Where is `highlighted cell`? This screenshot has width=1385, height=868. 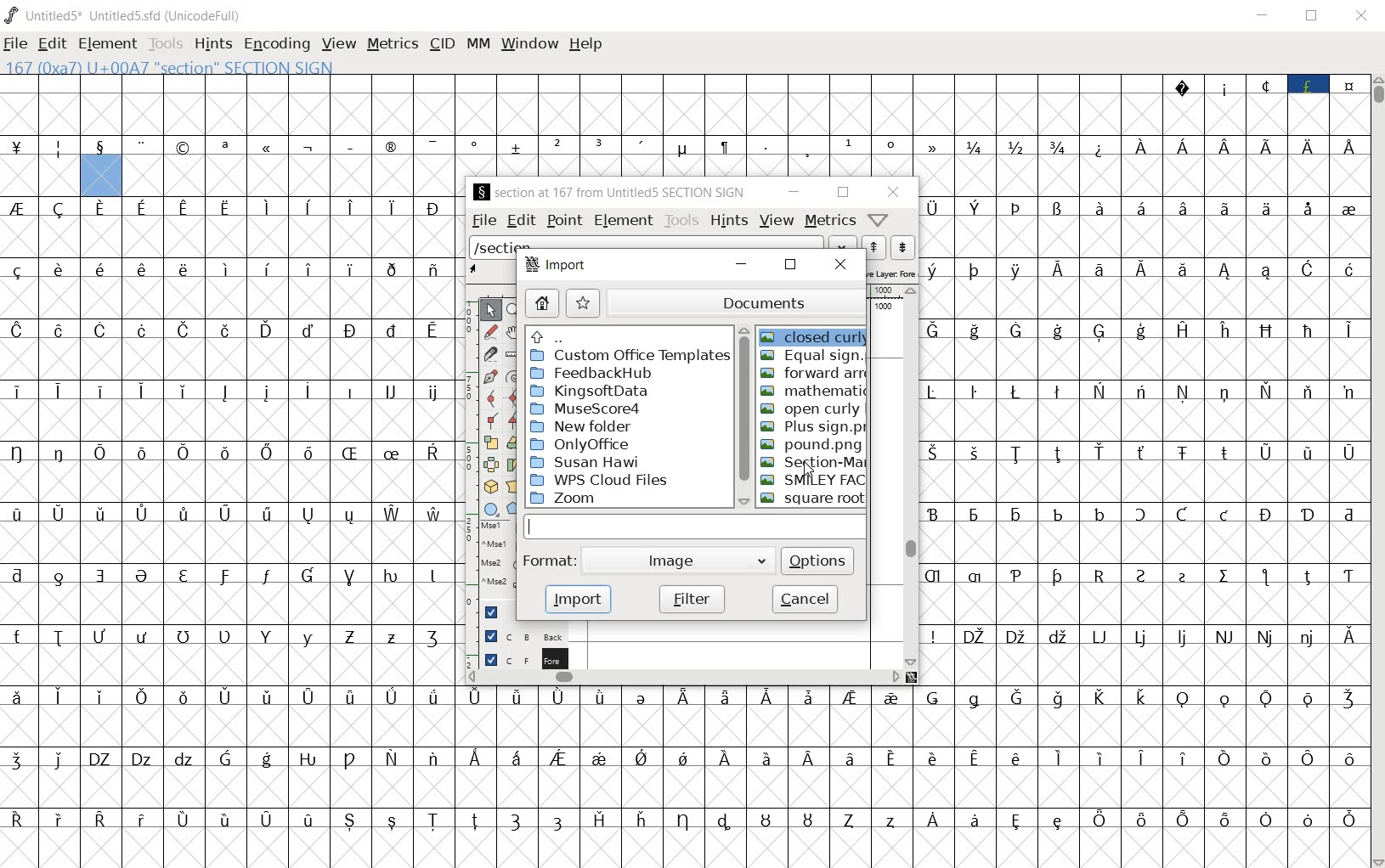
highlighted cell is located at coordinates (100, 177).